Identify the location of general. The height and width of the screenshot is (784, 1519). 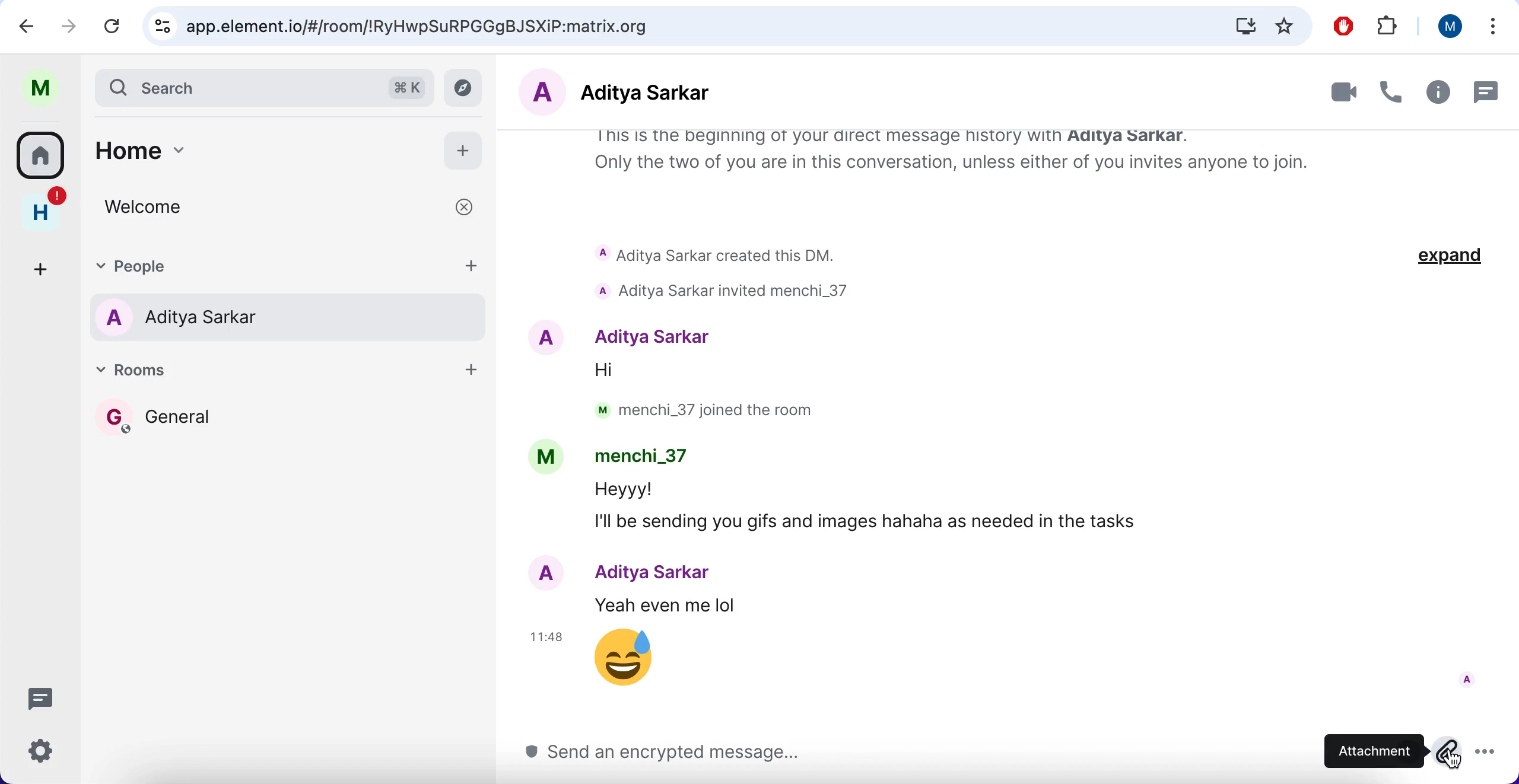
(182, 422).